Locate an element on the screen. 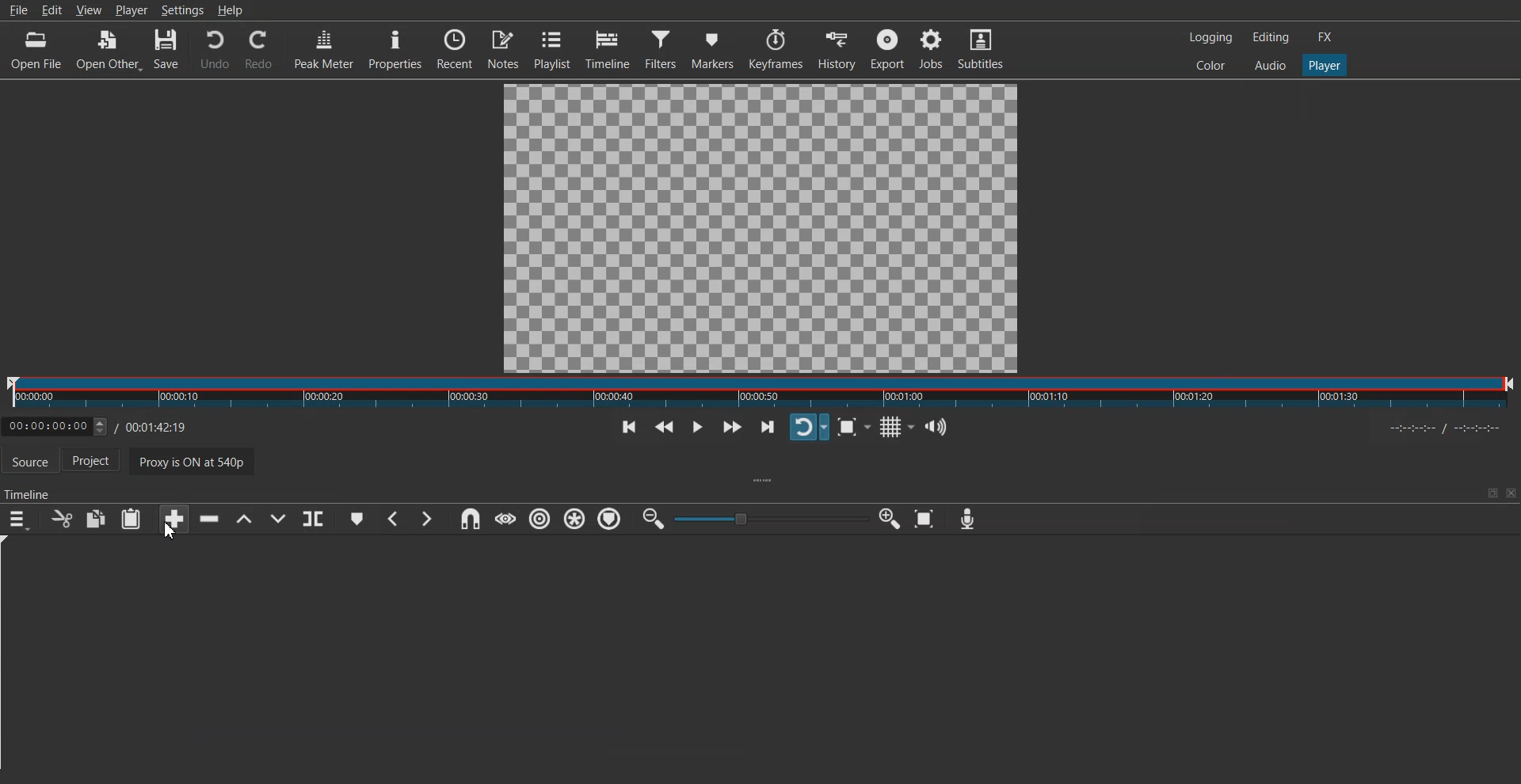 Image resolution: width=1521 pixels, height=784 pixels. Source is located at coordinates (30, 462).